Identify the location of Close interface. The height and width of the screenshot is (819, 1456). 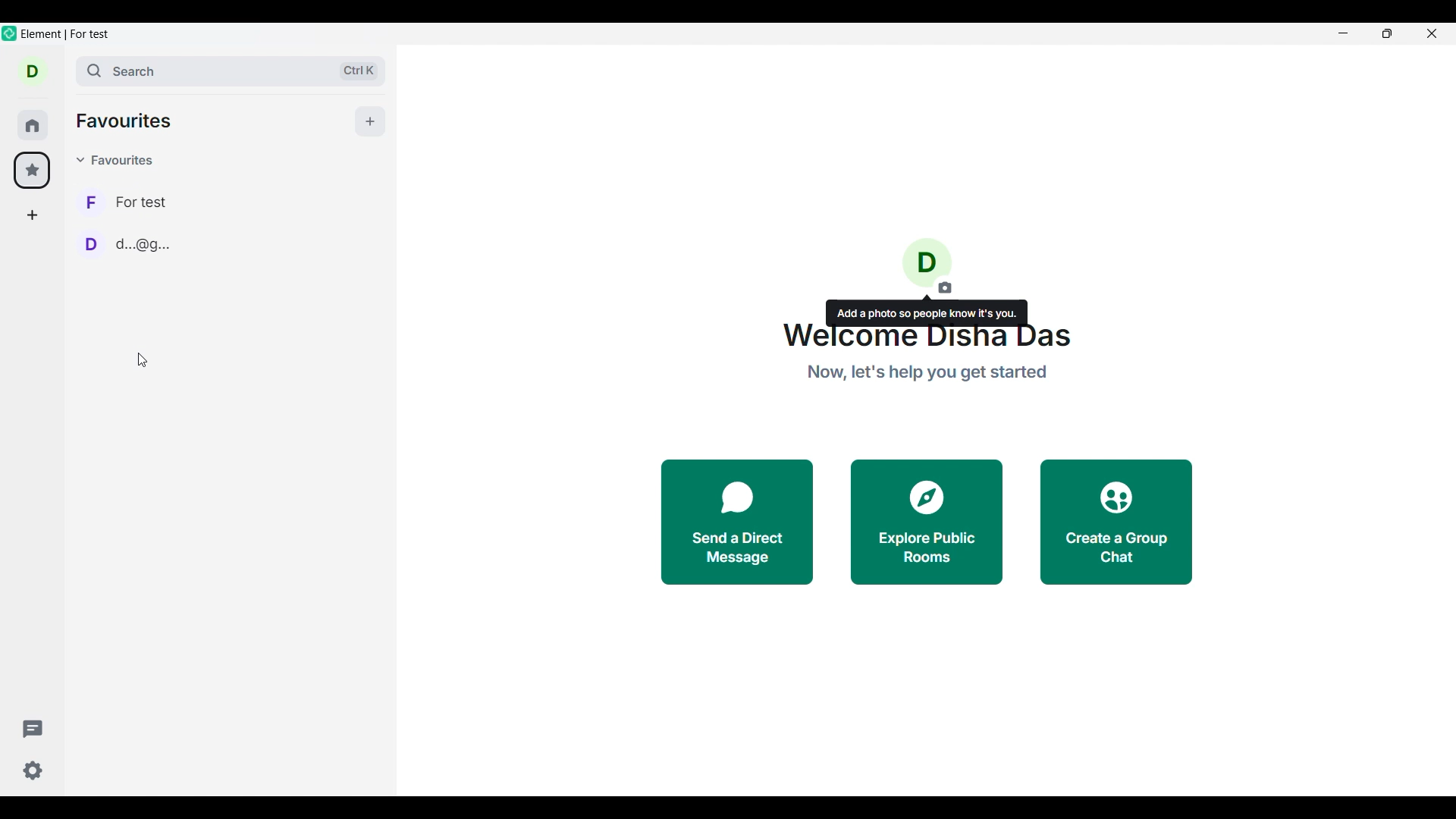
(1432, 33).